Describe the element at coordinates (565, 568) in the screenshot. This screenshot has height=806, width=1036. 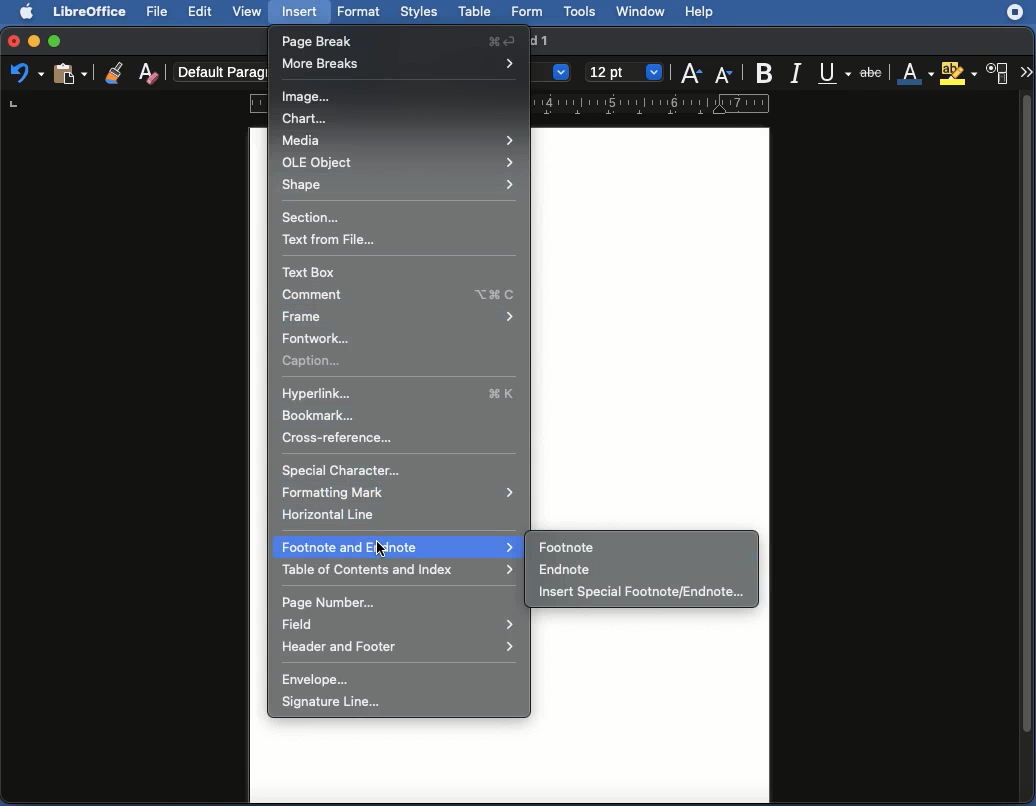
I see `Endnote` at that location.